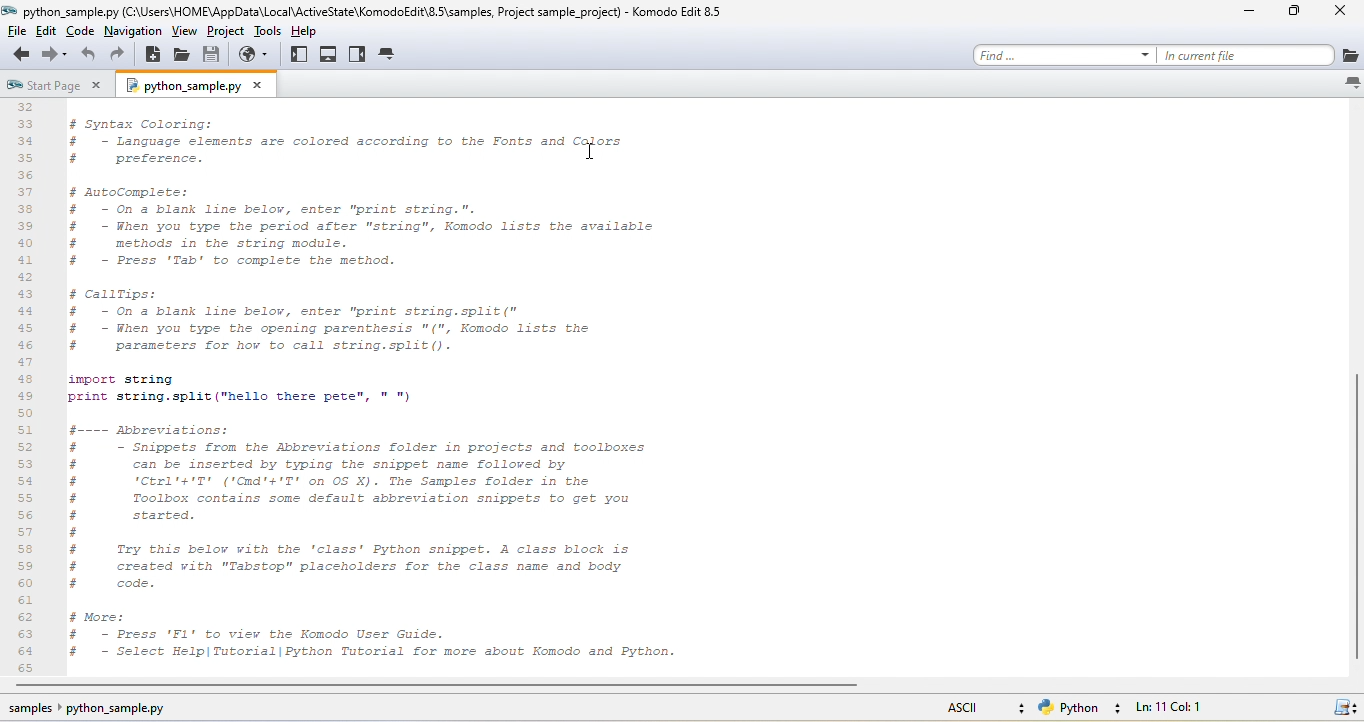 This screenshot has height=722, width=1364. What do you see at coordinates (216, 58) in the screenshot?
I see `save` at bounding box center [216, 58].